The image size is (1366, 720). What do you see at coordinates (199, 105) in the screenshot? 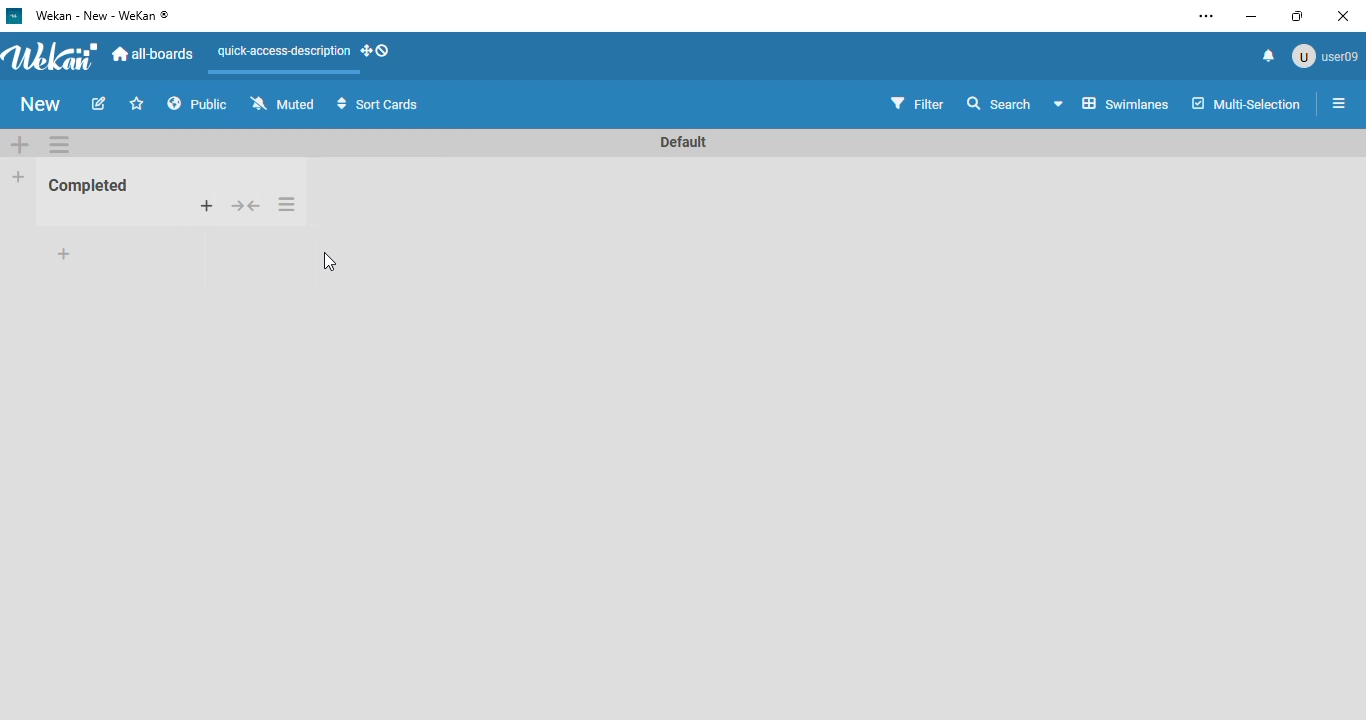
I see `public` at bounding box center [199, 105].